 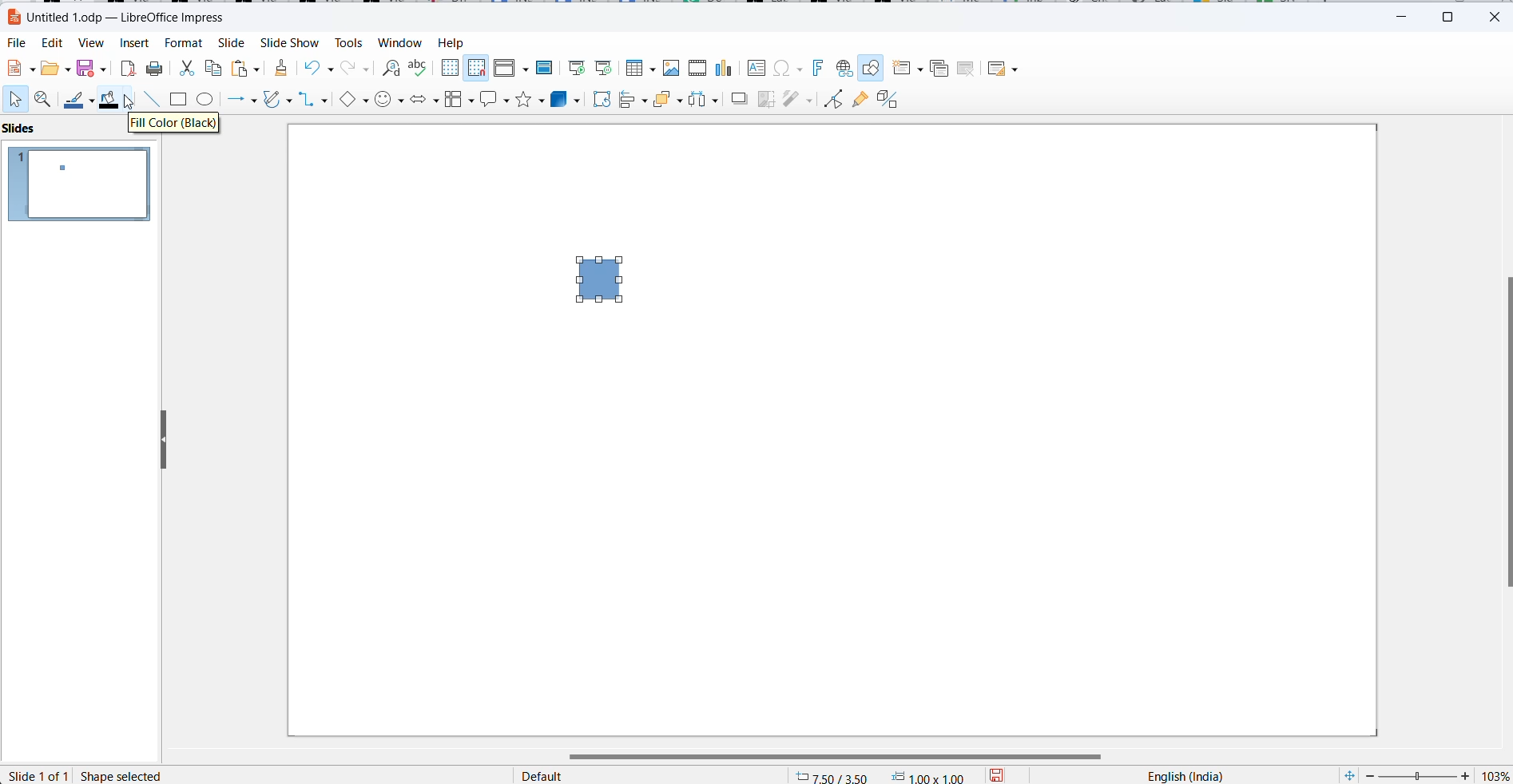 I want to click on Edit, so click(x=54, y=42).